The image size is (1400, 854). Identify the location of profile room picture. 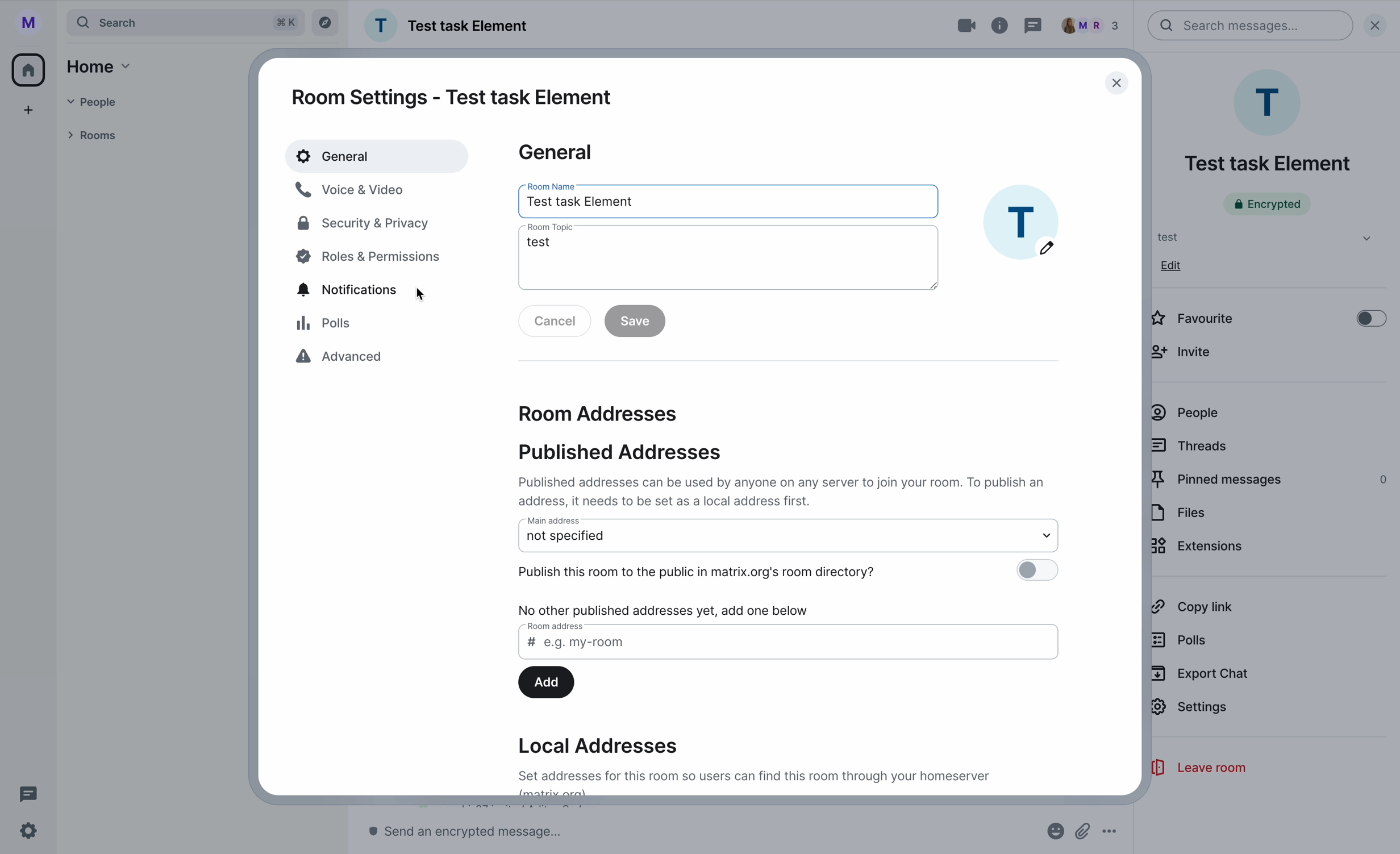
(1270, 102).